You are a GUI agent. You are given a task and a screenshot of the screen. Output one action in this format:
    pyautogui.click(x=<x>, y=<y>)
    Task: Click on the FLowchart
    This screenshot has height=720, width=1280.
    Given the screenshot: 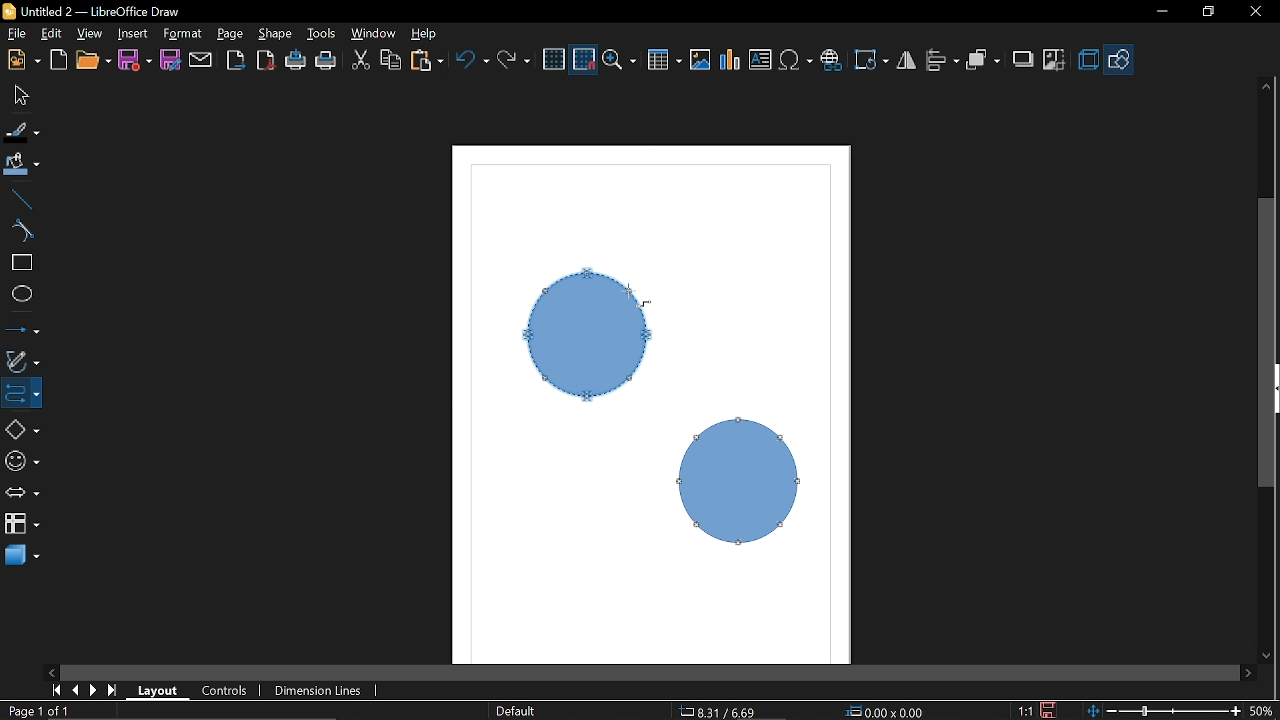 What is the action you would take?
    pyautogui.click(x=22, y=525)
    